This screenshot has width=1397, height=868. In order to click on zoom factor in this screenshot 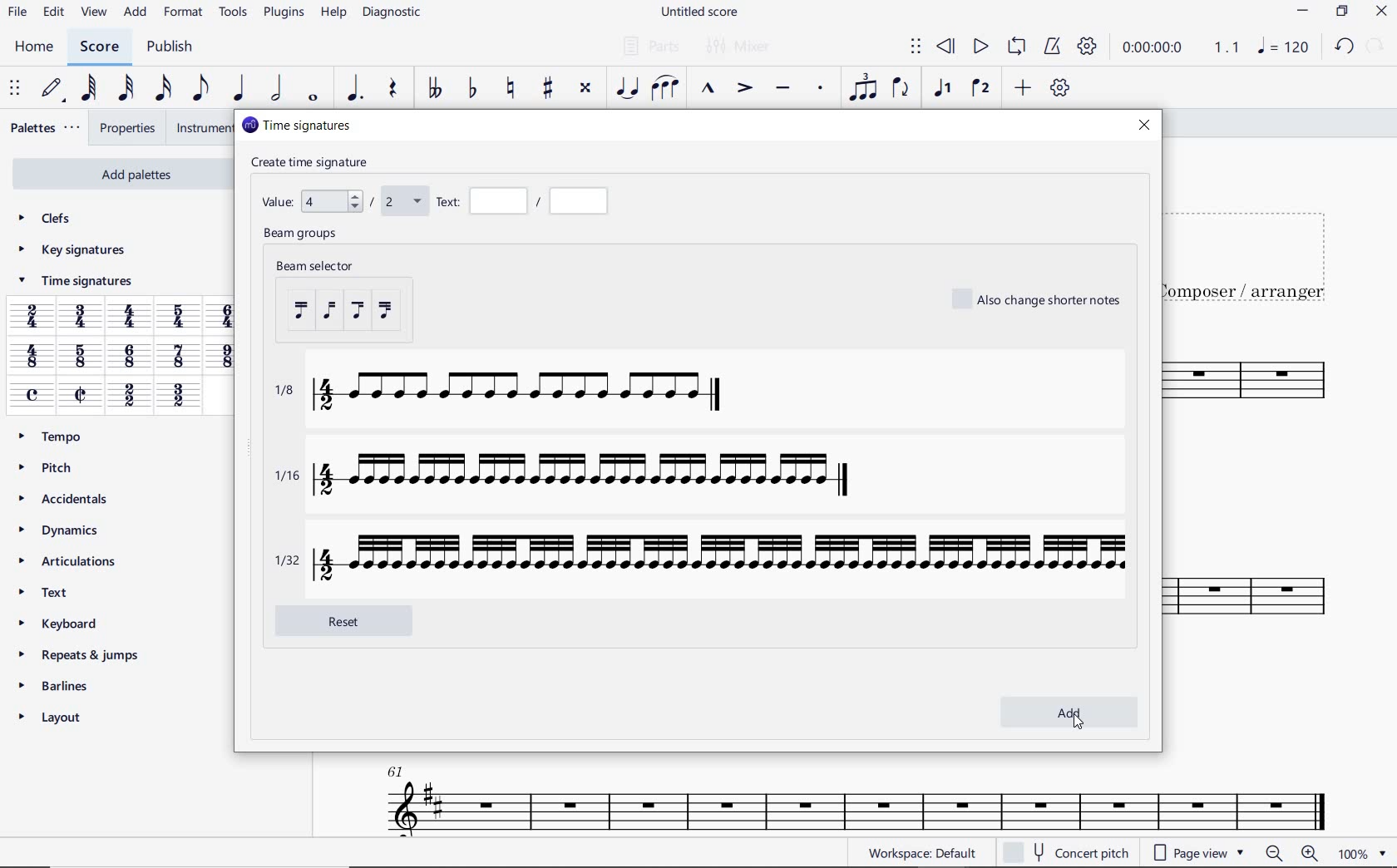, I will do `click(1360, 853)`.